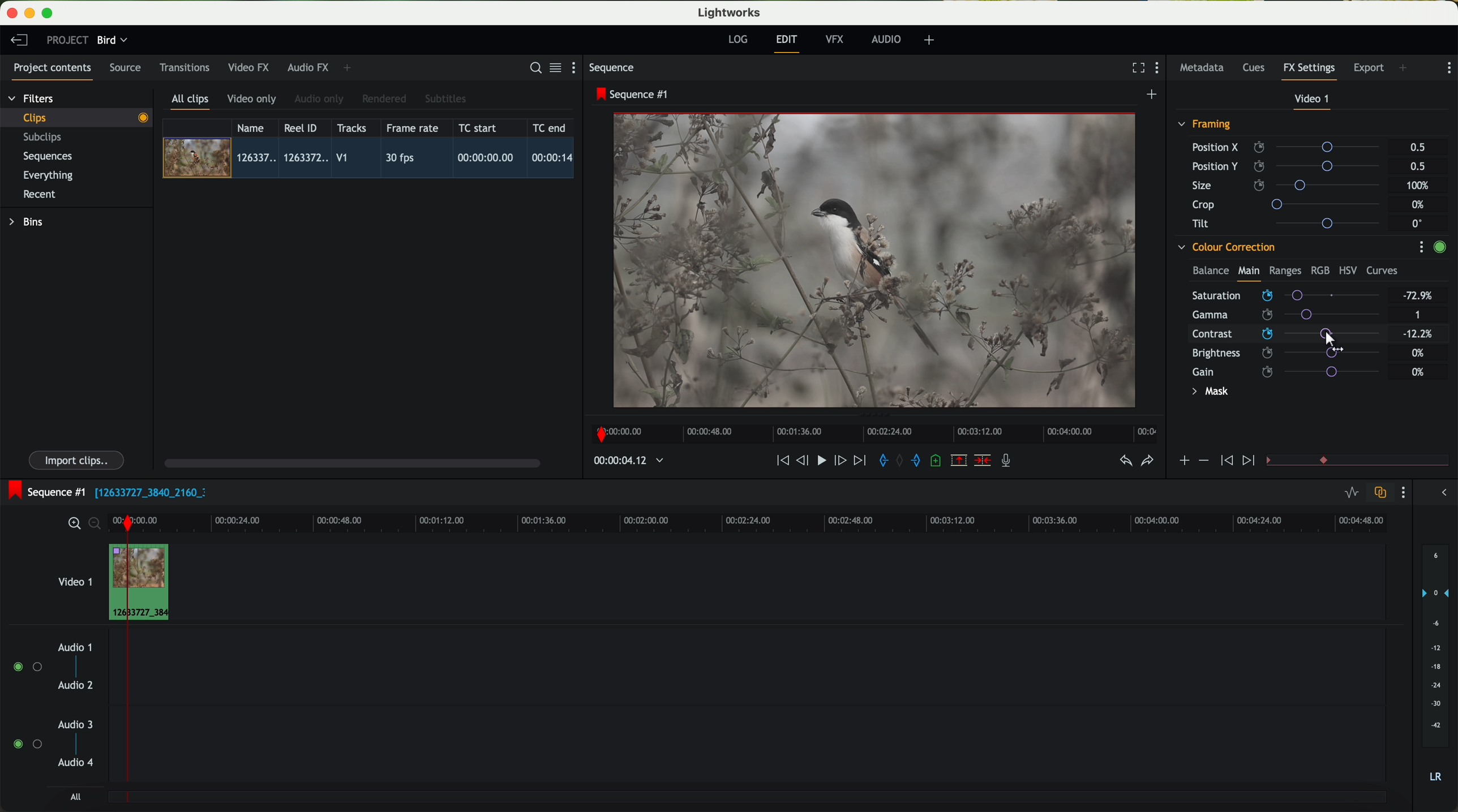 The width and height of the screenshot is (1458, 812). Describe the element at coordinates (1382, 271) in the screenshot. I see `curves` at that location.